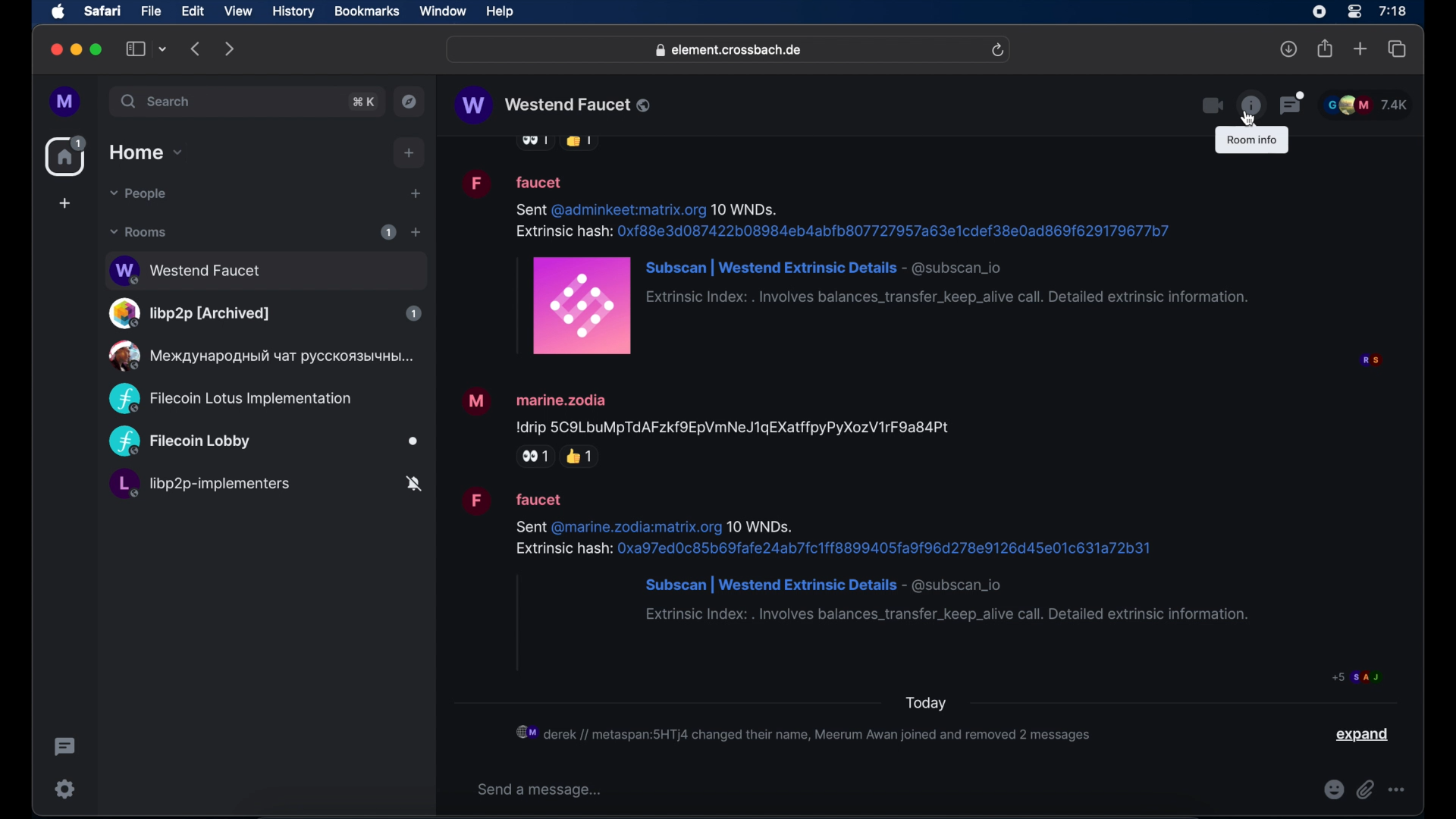 The height and width of the screenshot is (819, 1456). What do you see at coordinates (1360, 48) in the screenshot?
I see `new tab` at bounding box center [1360, 48].